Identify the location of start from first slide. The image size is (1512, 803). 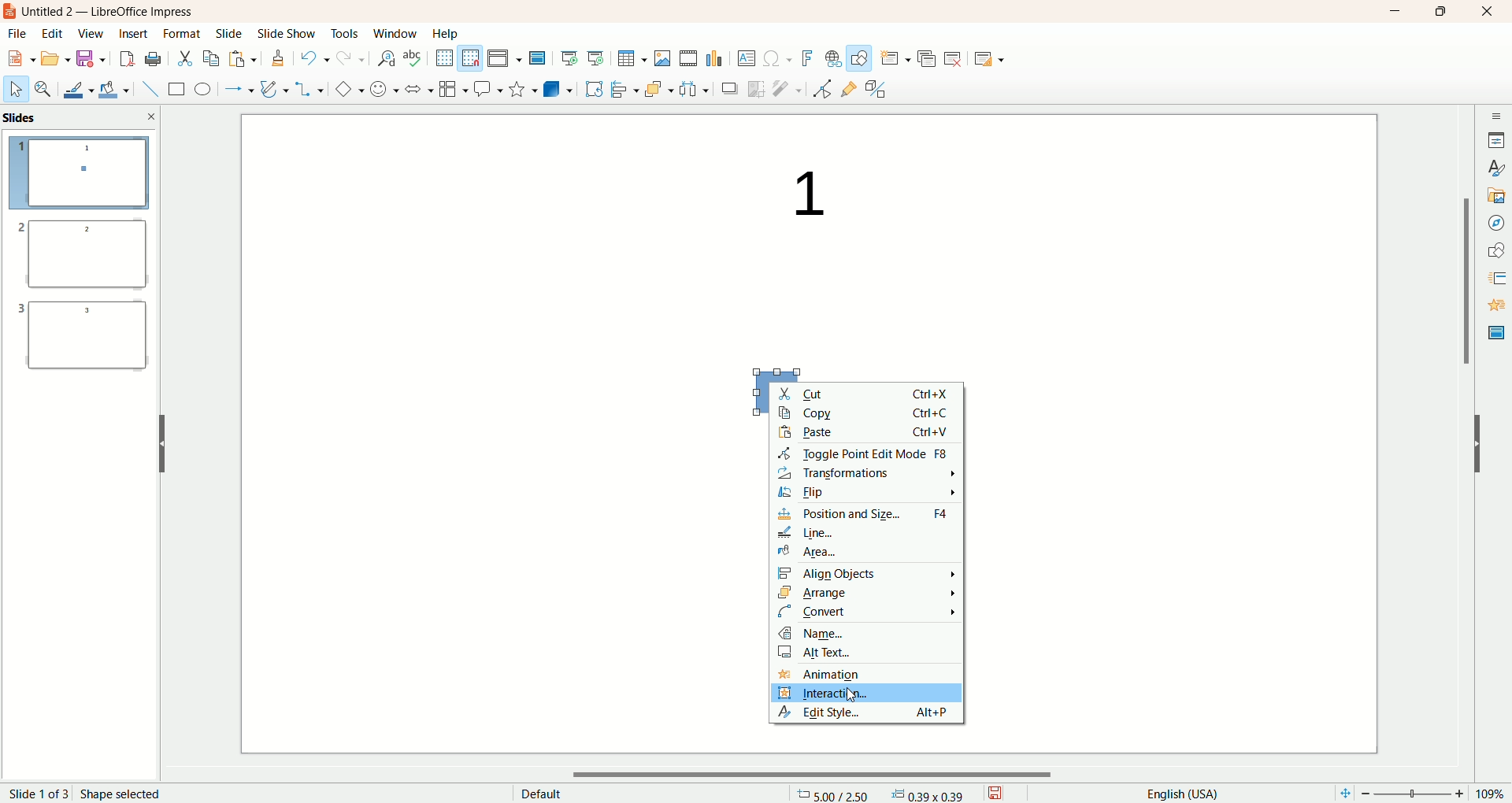
(570, 56).